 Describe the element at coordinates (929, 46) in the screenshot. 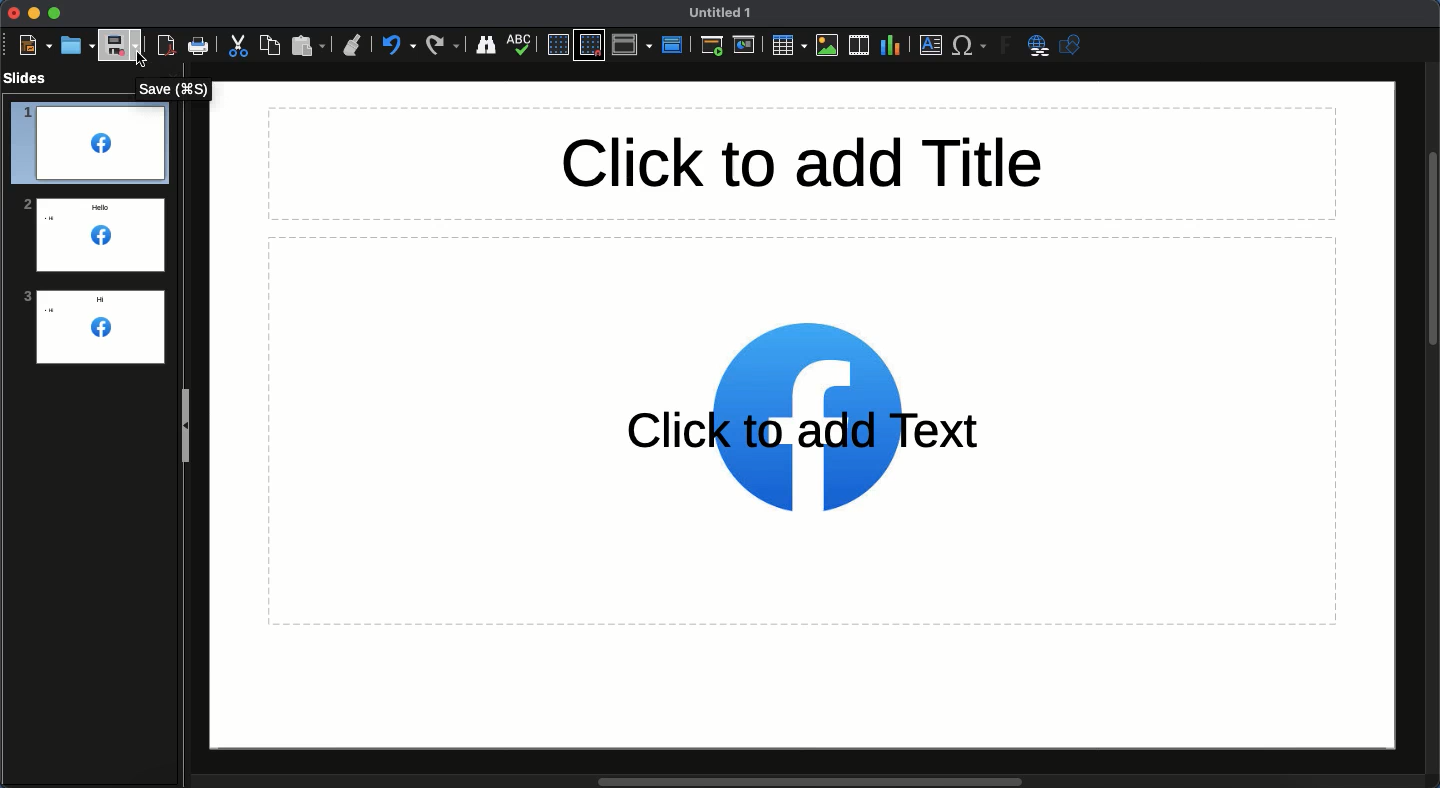

I see `Textbox` at that location.